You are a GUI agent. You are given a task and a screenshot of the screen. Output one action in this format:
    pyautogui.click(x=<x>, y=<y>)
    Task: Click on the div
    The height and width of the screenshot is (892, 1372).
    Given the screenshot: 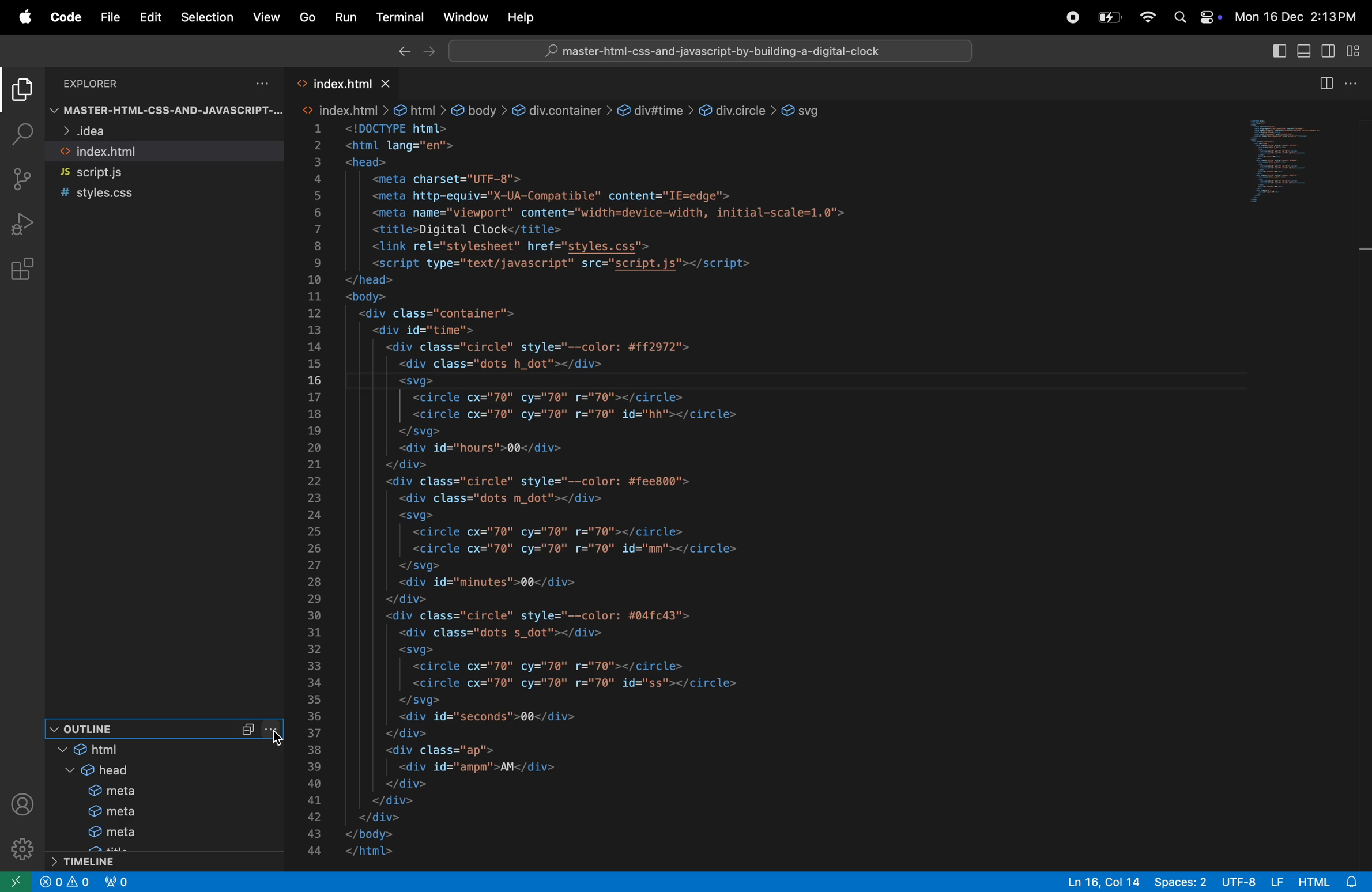 What is the action you would take?
    pyautogui.click(x=562, y=110)
    